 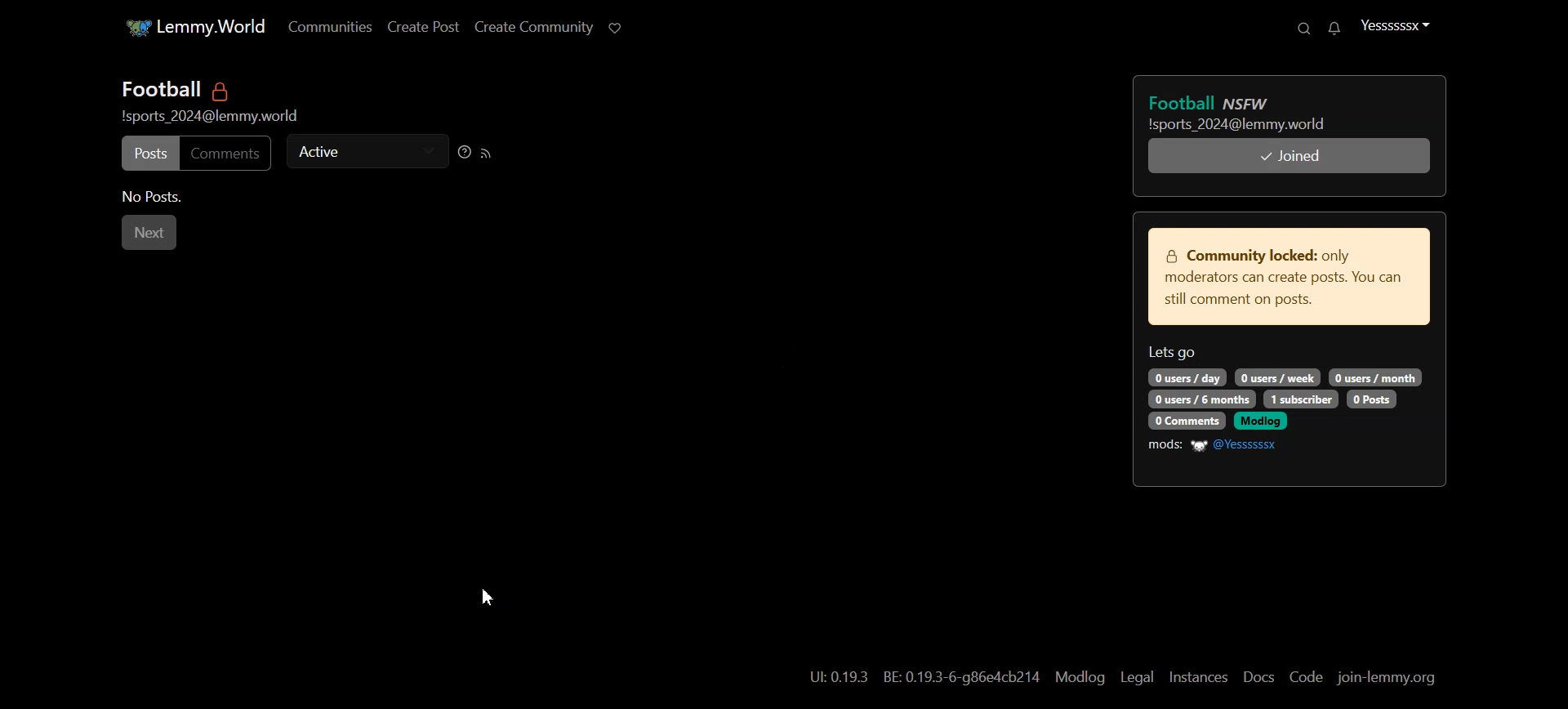 What do you see at coordinates (229, 153) in the screenshot?
I see `Comments` at bounding box center [229, 153].